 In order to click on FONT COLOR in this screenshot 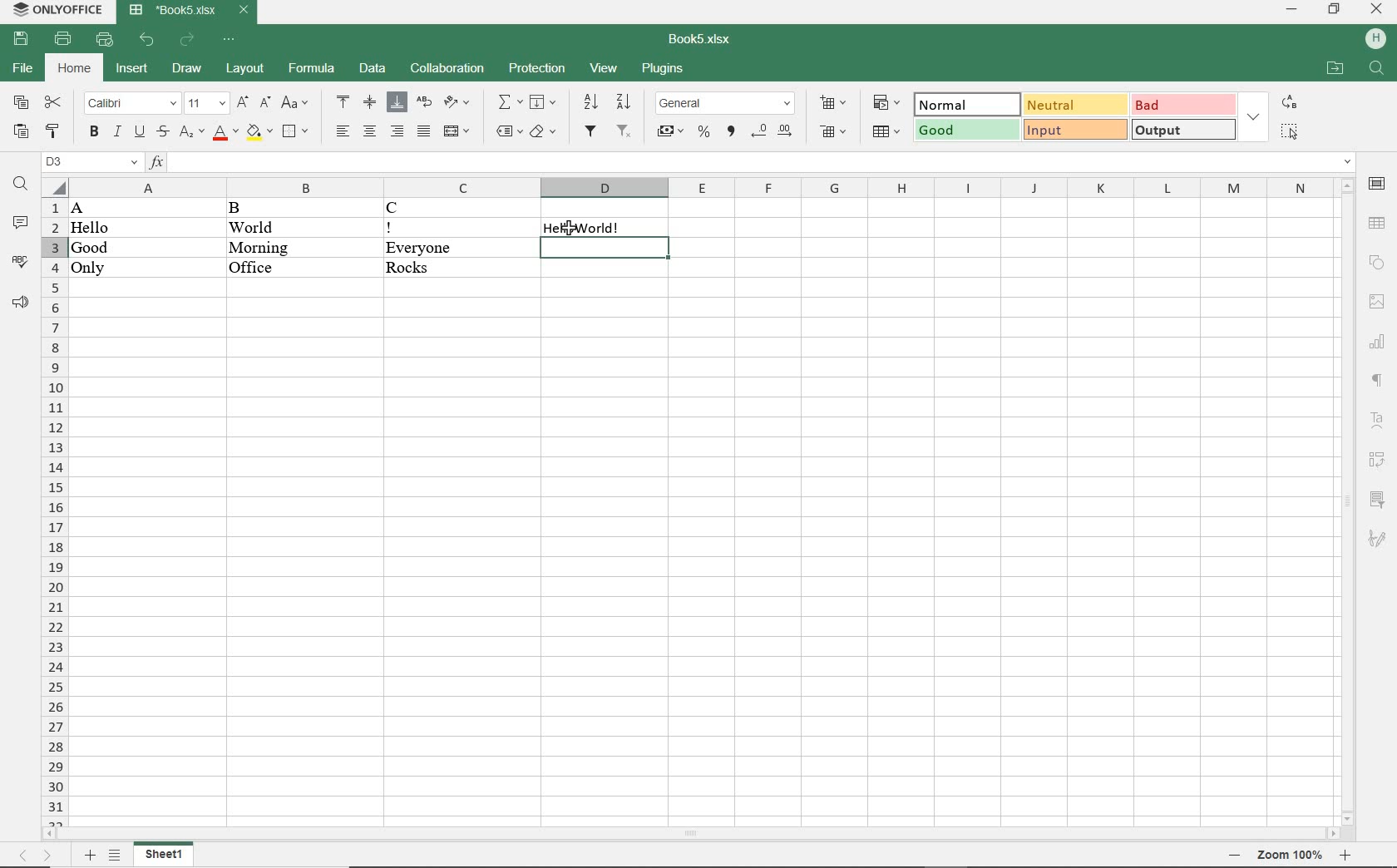, I will do `click(225, 136)`.